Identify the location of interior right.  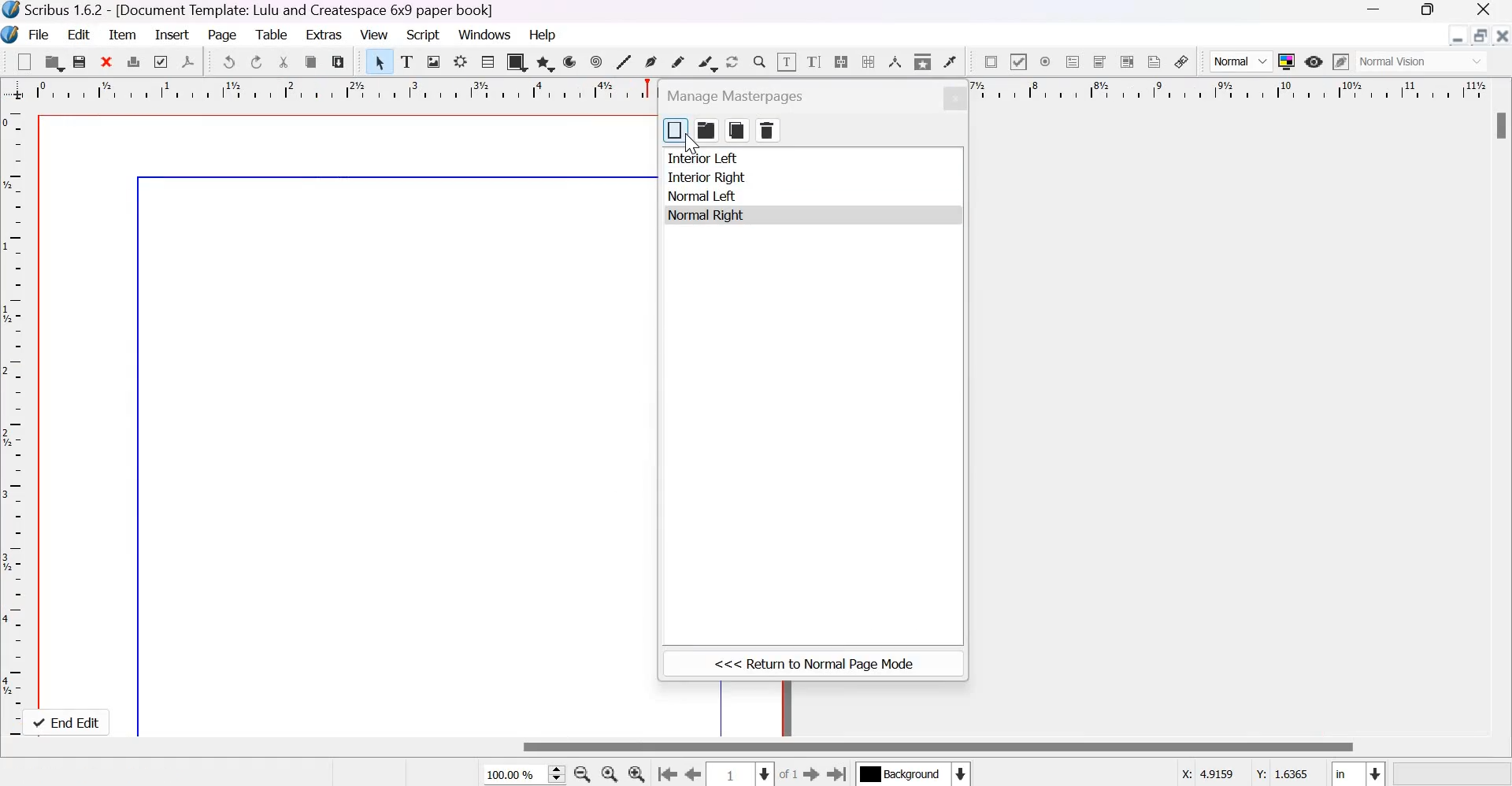
(706, 177).